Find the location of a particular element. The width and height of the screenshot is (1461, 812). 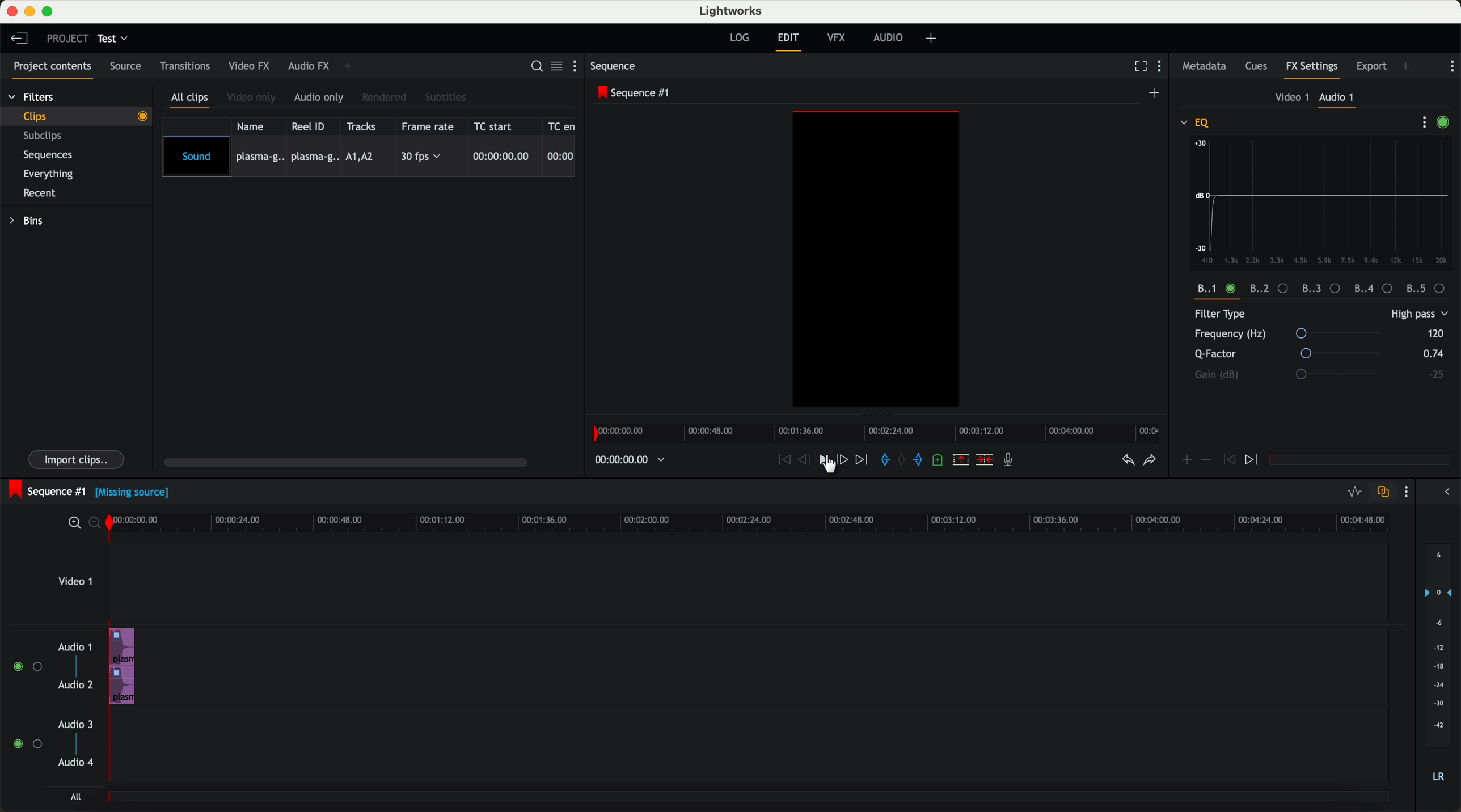

lightworks is located at coordinates (733, 11).